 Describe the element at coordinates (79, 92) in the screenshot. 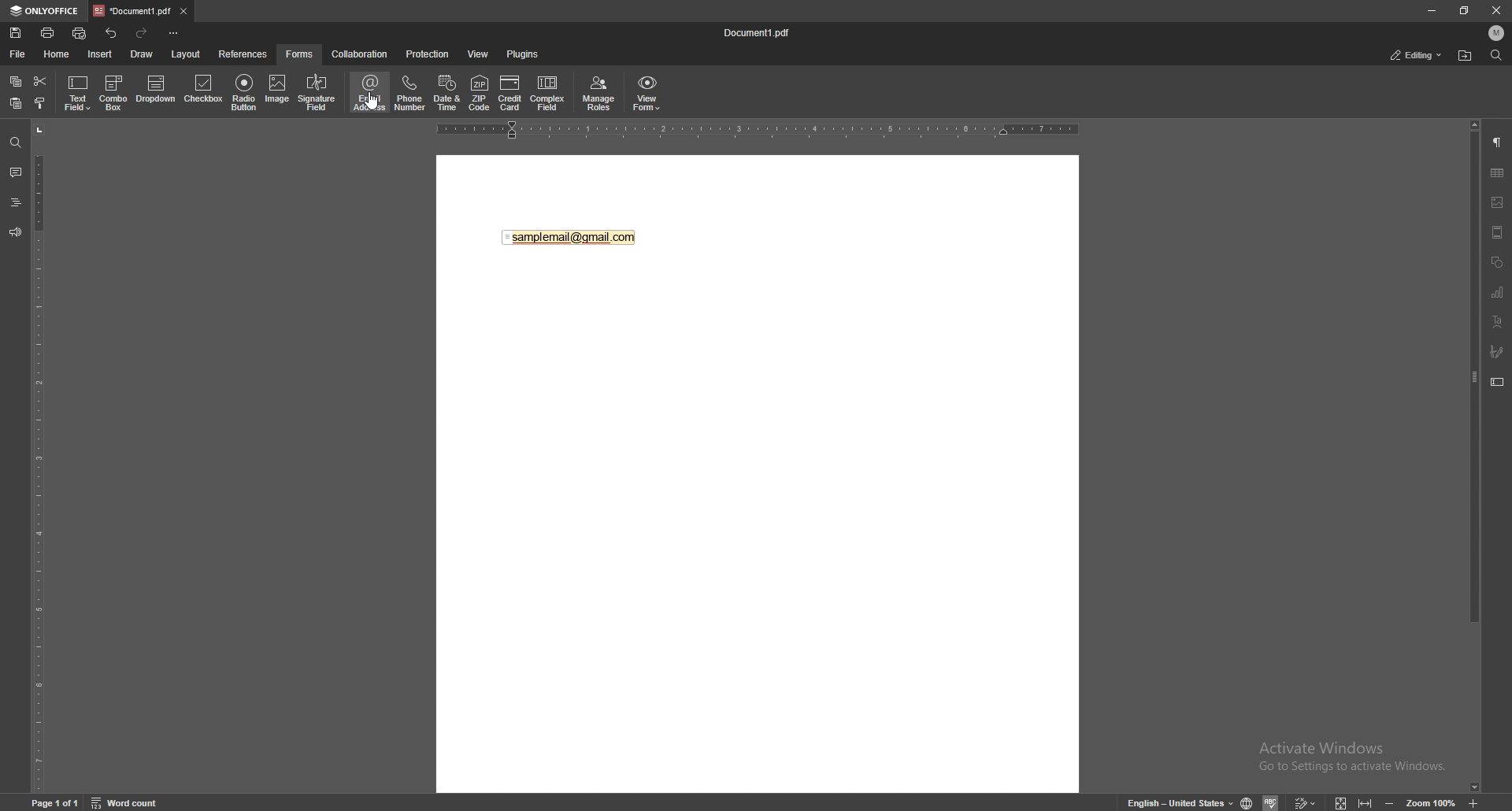

I see `text field` at that location.